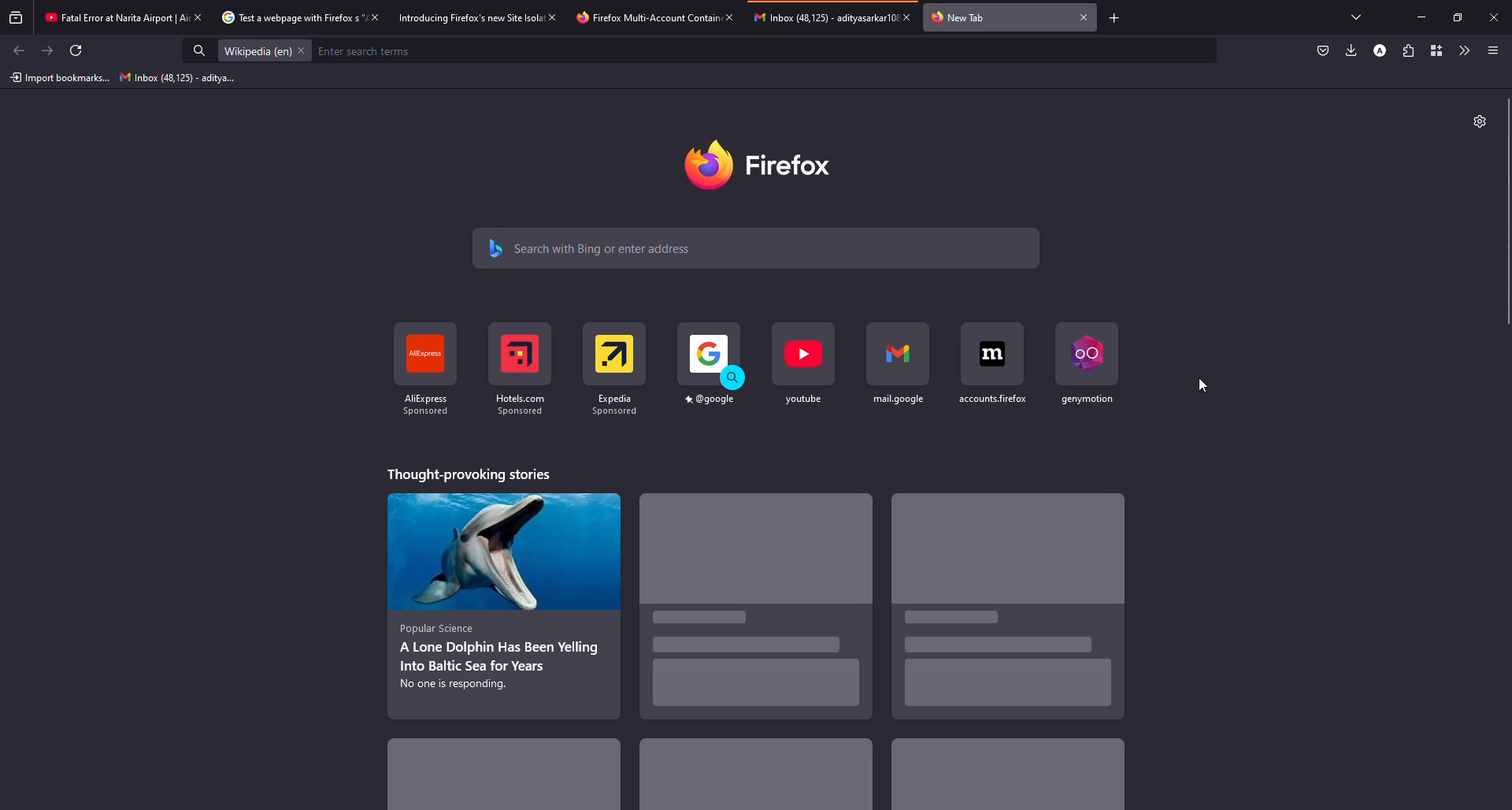 This screenshot has height=810, width=1512. Describe the element at coordinates (194, 50) in the screenshot. I see `search` at that location.